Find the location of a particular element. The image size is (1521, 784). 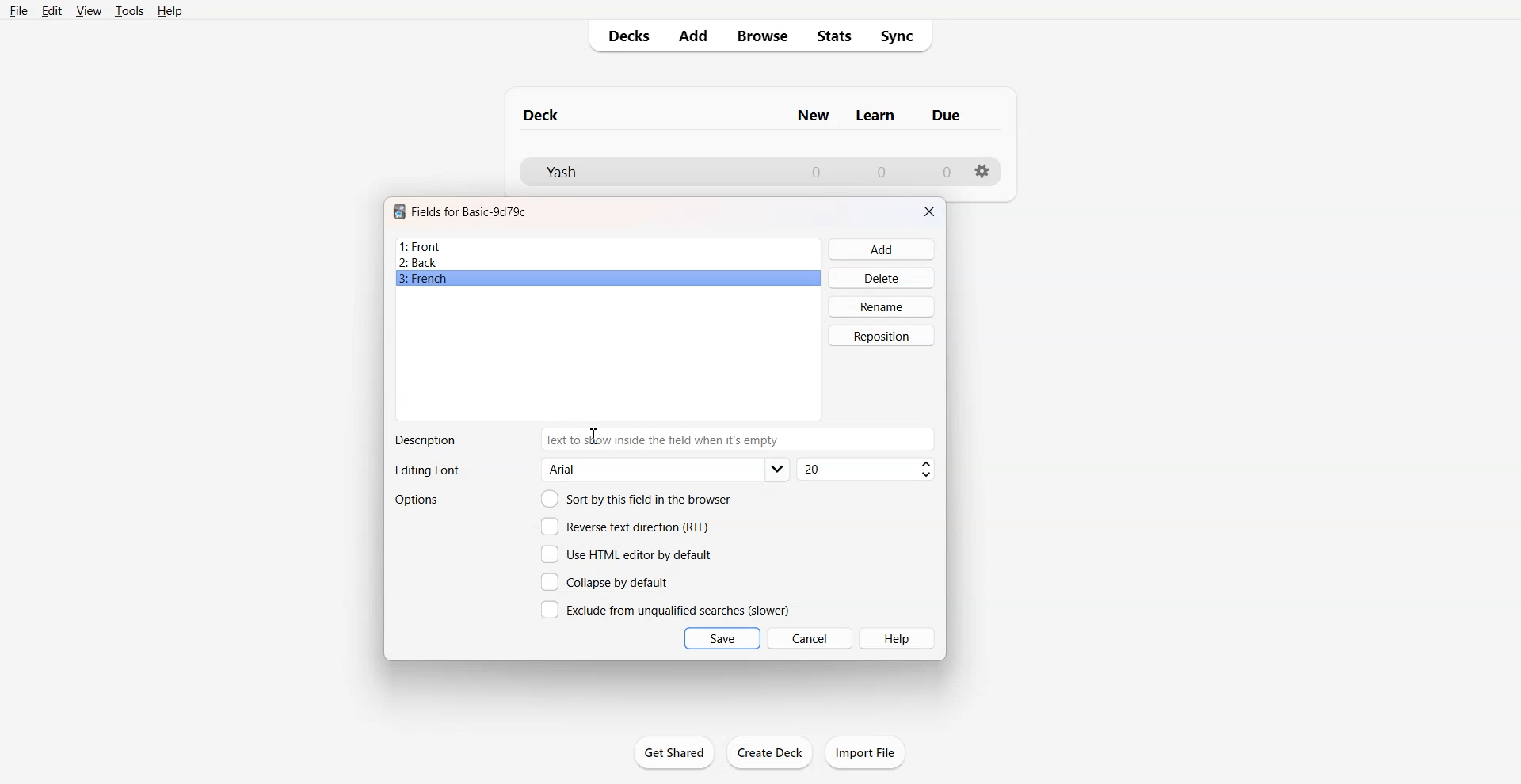

Cancel is located at coordinates (810, 637).